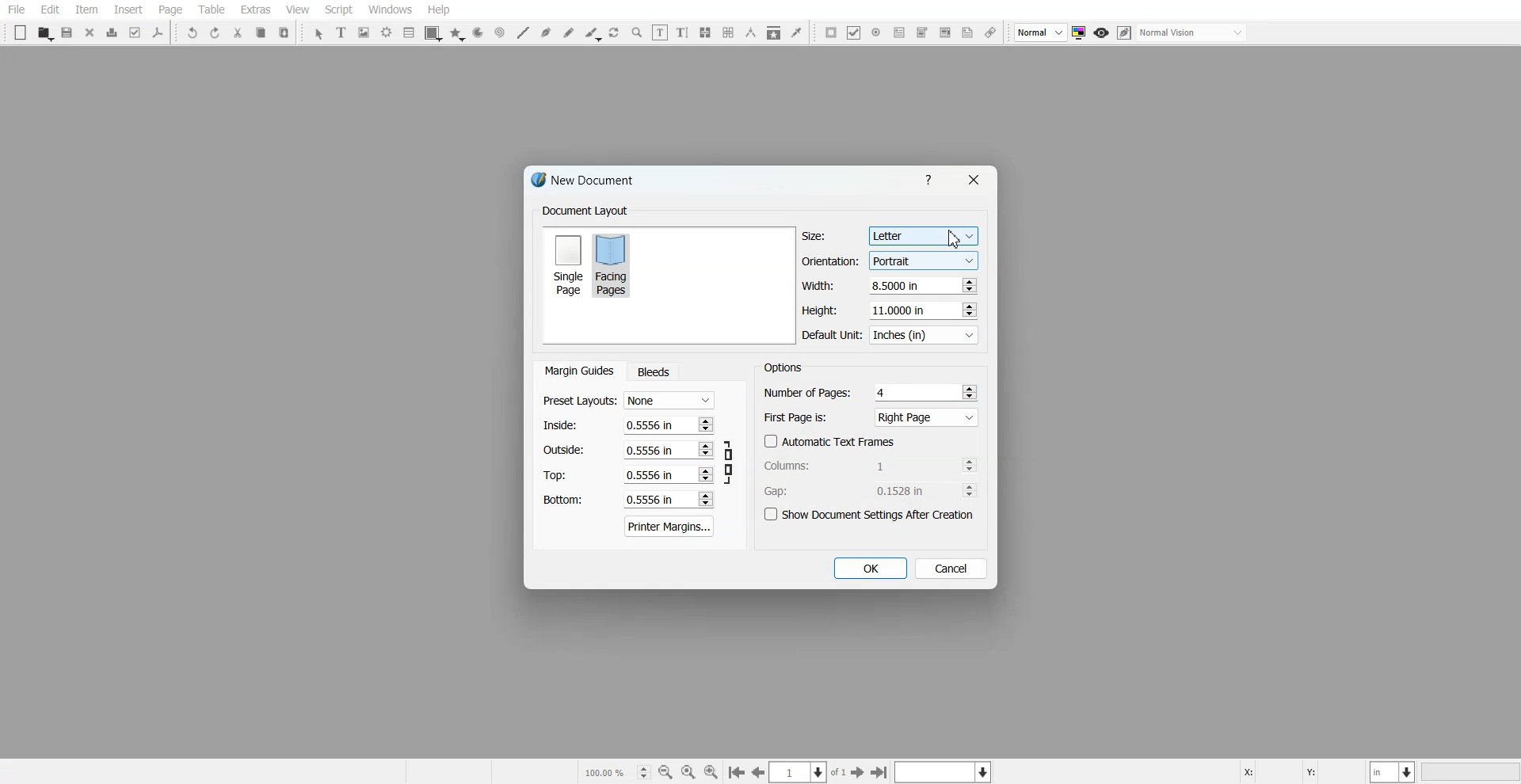  What do you see at coordinates (438, 10) in the screenshot?
I see `Help` at bounding box center [438, 10].